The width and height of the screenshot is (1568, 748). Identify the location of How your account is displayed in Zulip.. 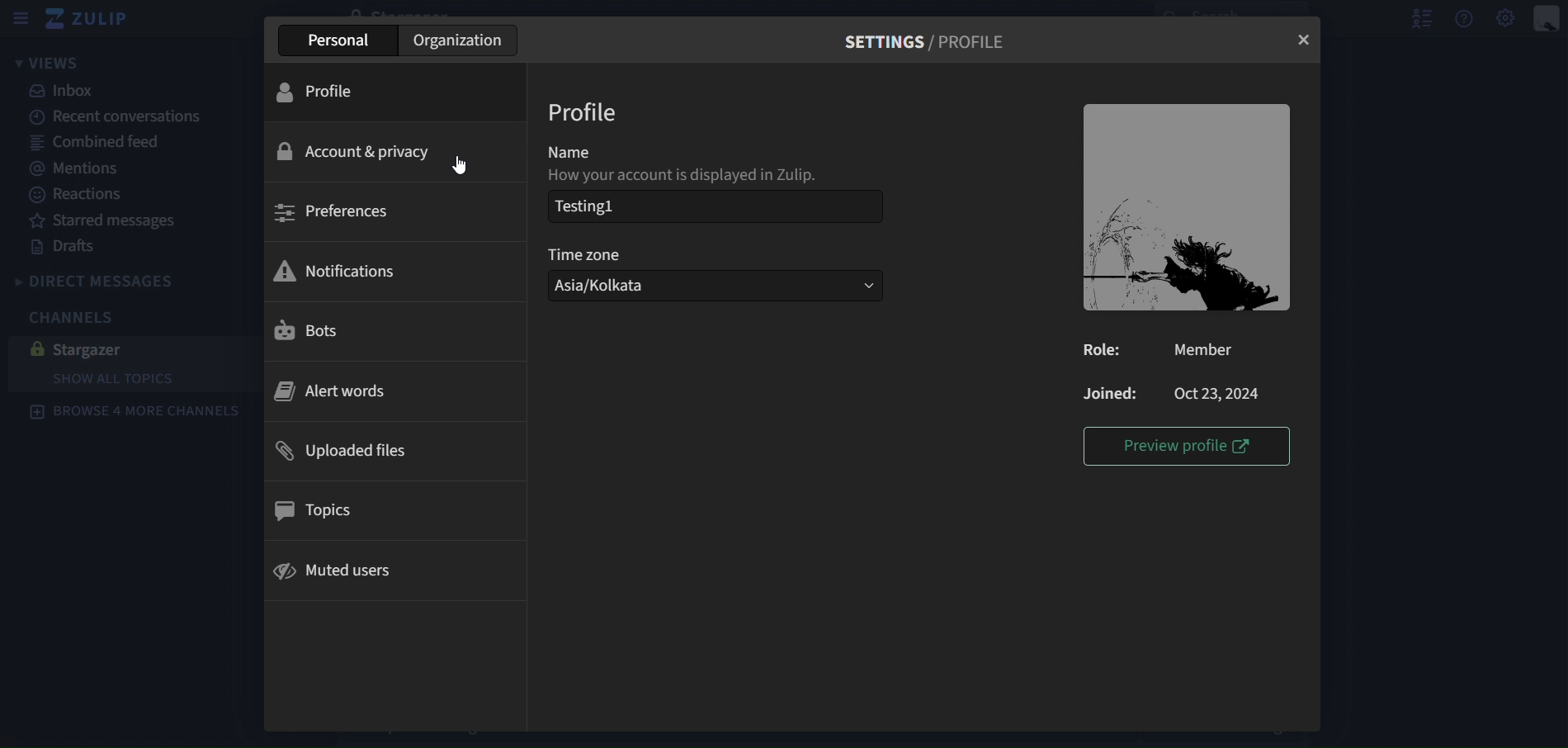
(688, 177).